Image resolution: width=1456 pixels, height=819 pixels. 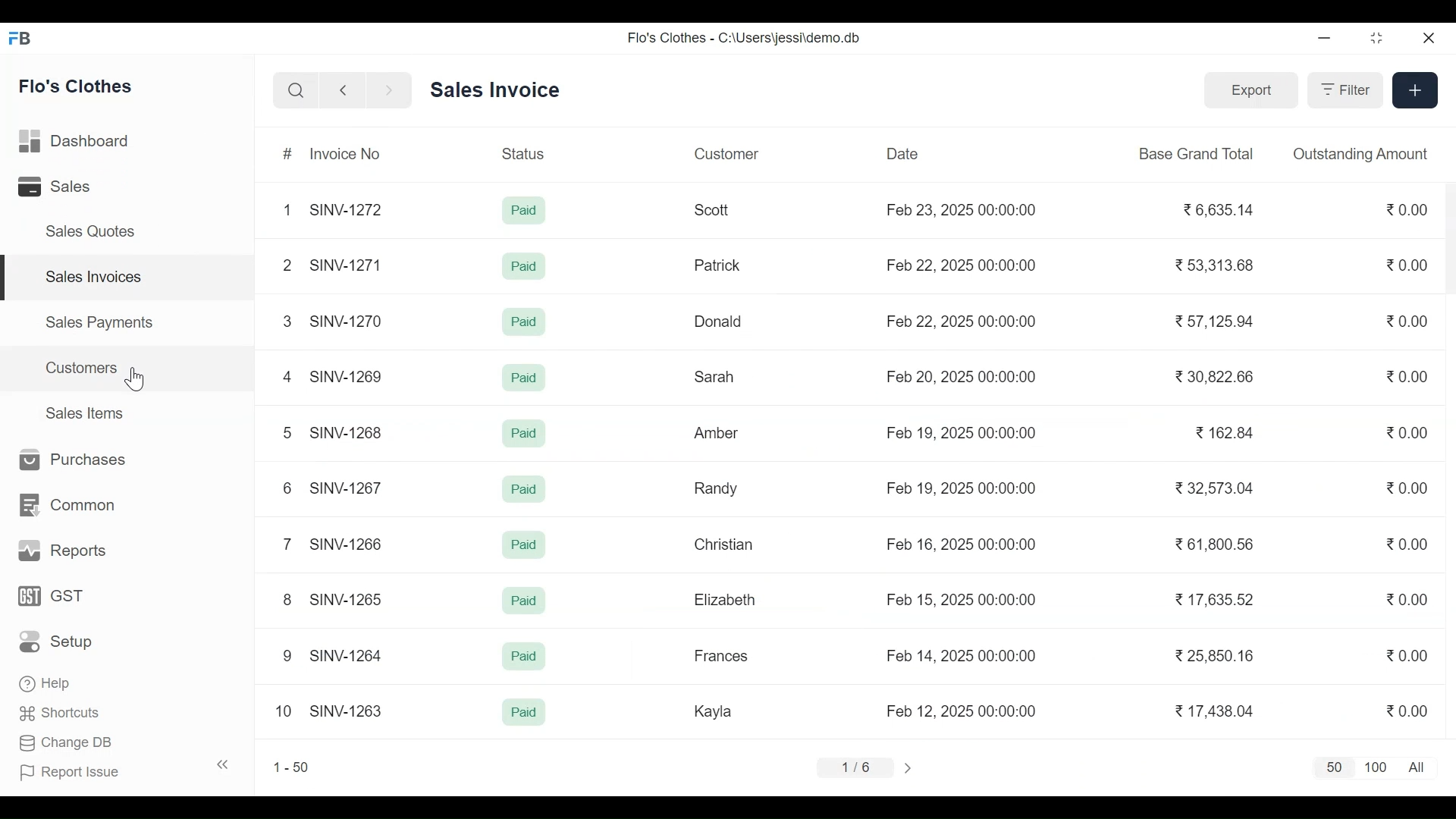 What do you see at coordinates (724, 544) in the screenshot?
I see `Christian` at bounding box center [724, 544].